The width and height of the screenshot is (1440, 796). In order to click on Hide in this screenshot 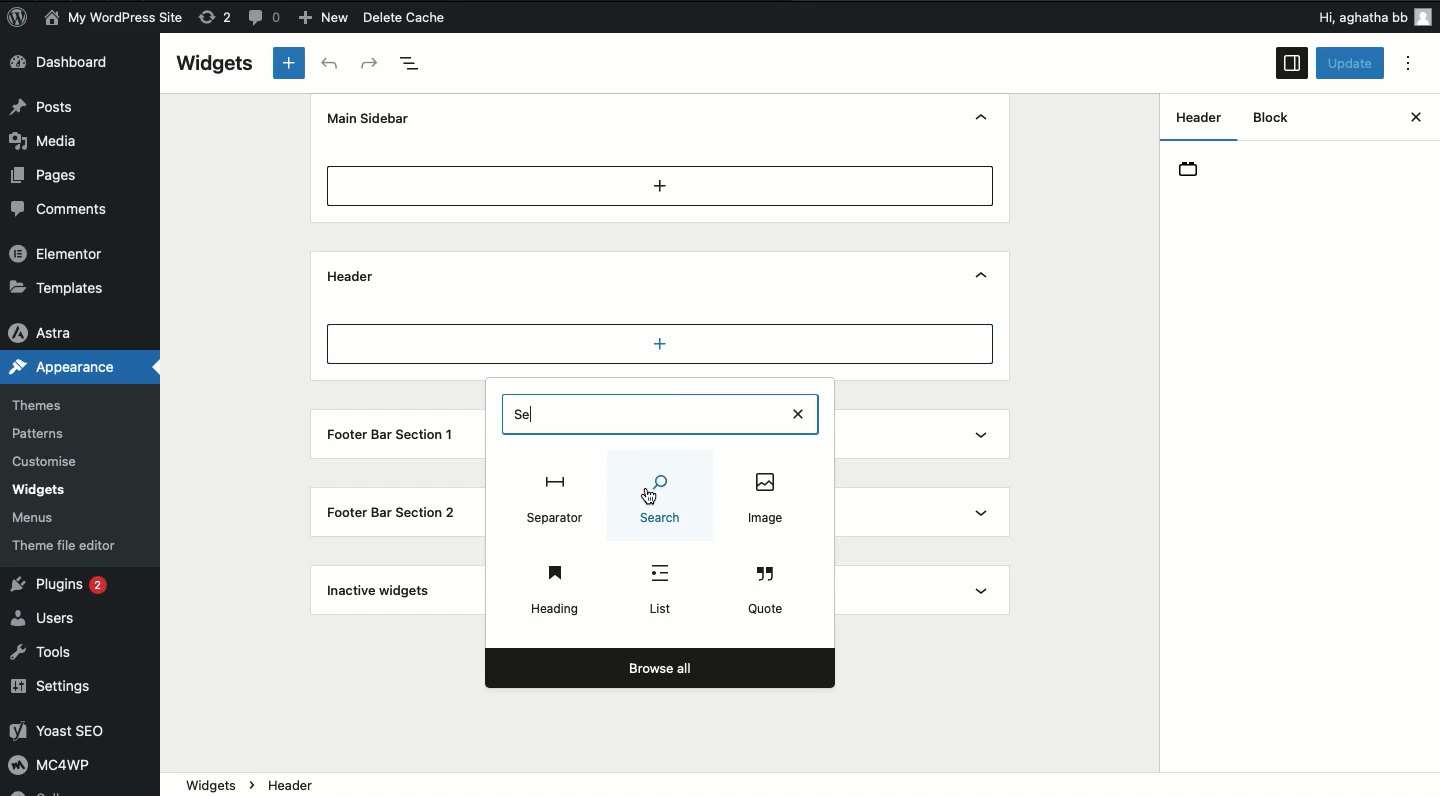, I will do `click(985, 117)`.